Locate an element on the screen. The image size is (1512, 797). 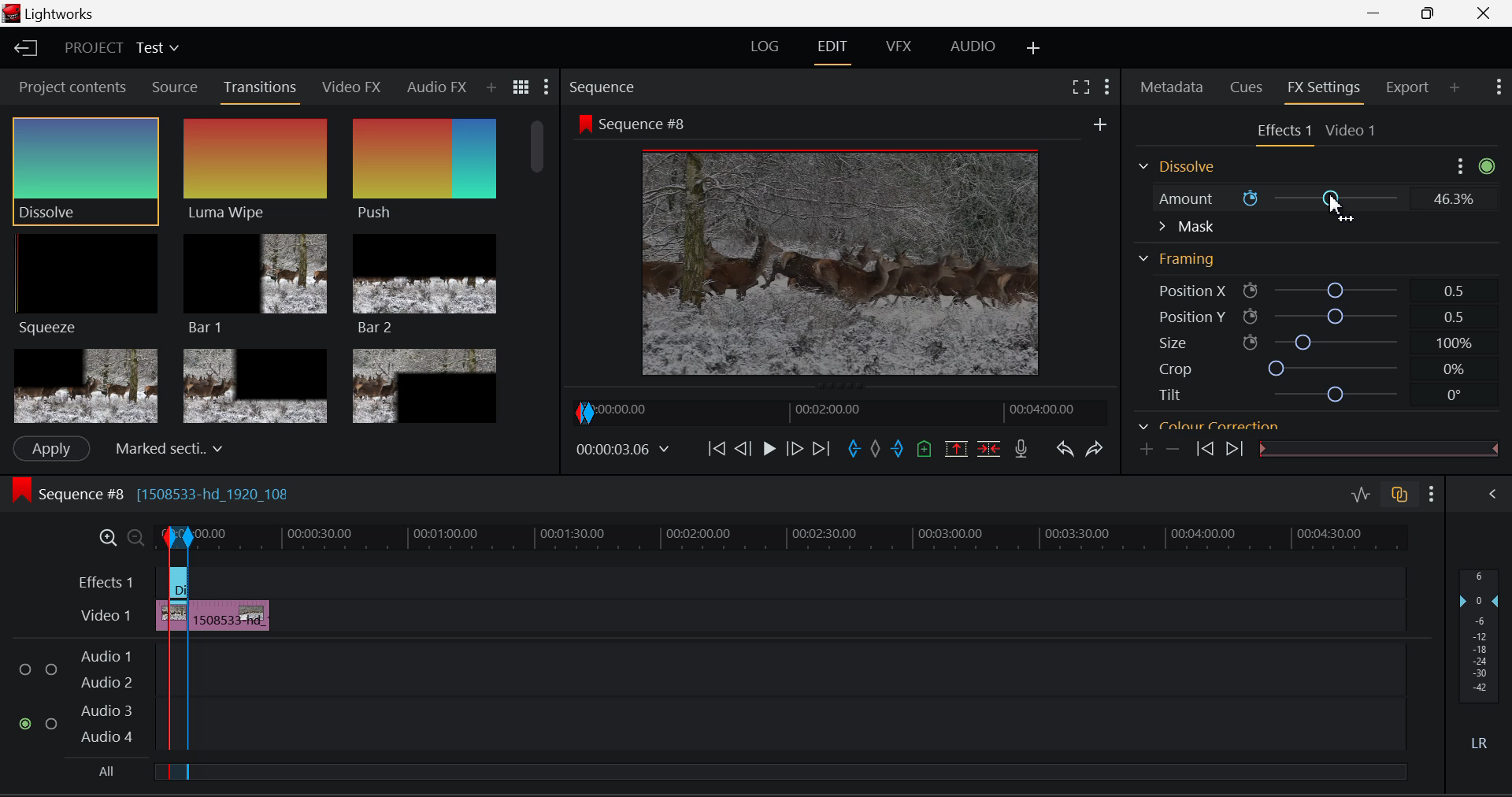
Project contents is located at coordinates (70, 86).